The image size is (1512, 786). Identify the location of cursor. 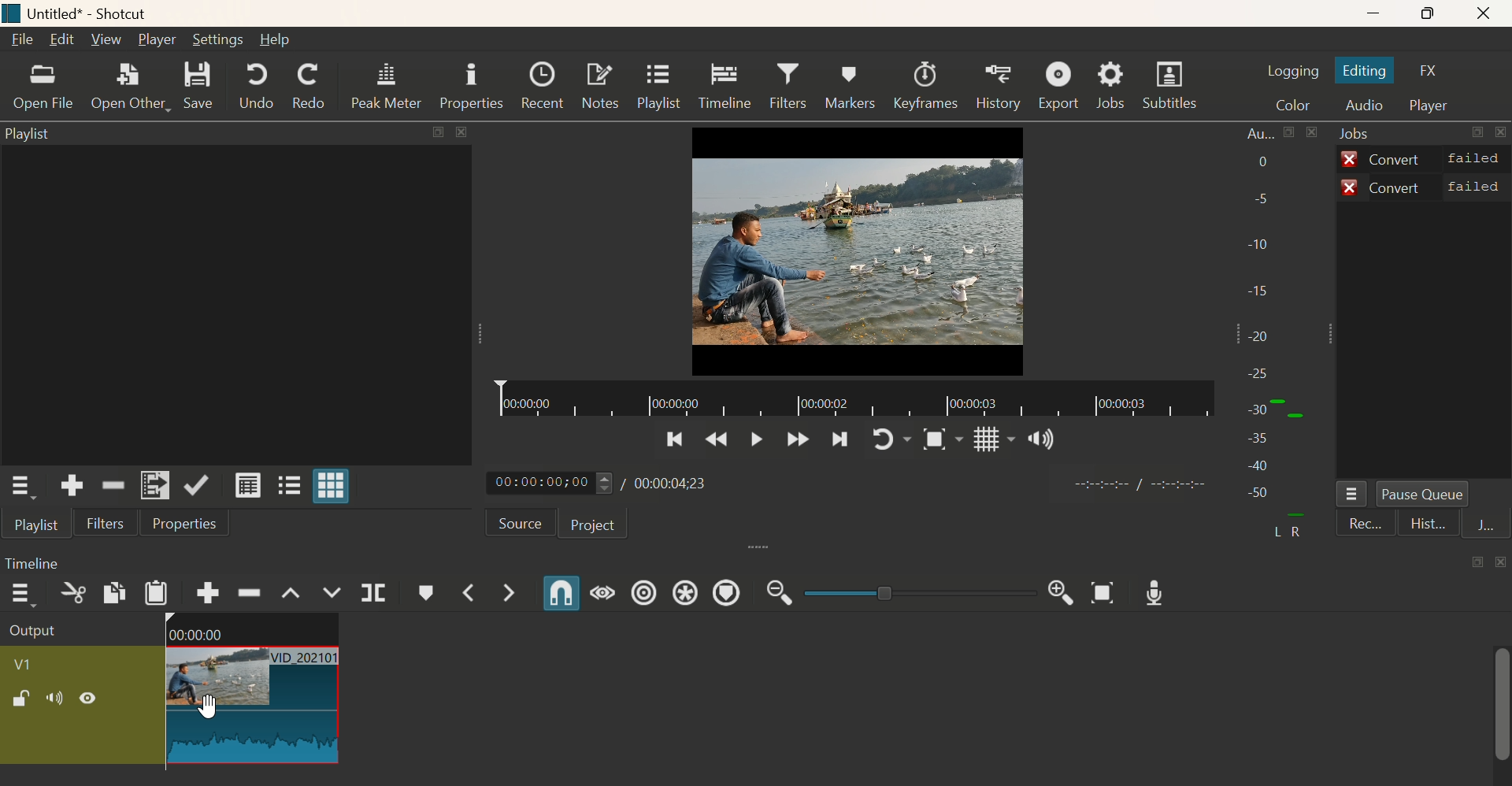
(207, 710).